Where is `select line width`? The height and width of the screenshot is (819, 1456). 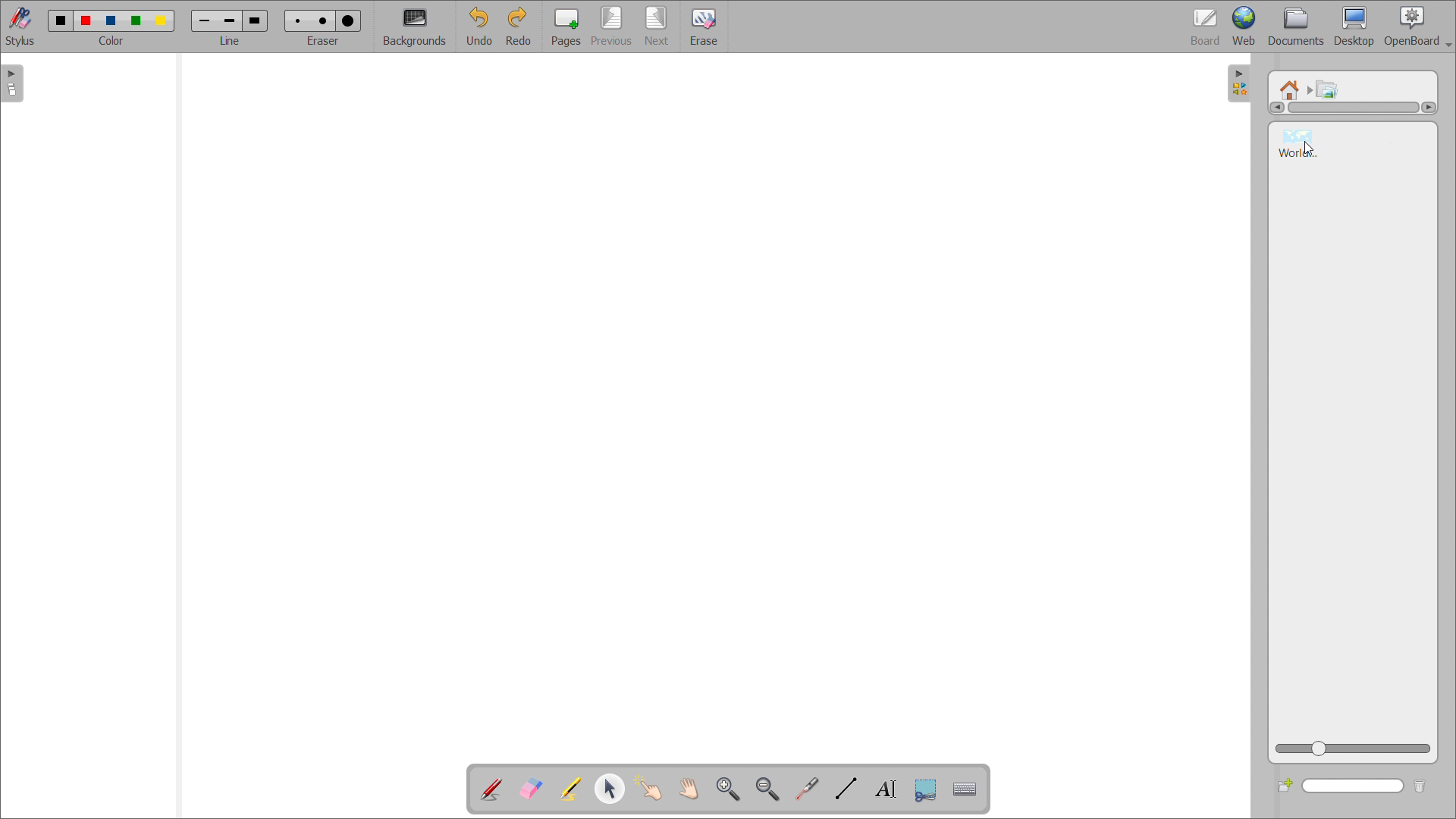 select line width is located at coordinates (230, 27).